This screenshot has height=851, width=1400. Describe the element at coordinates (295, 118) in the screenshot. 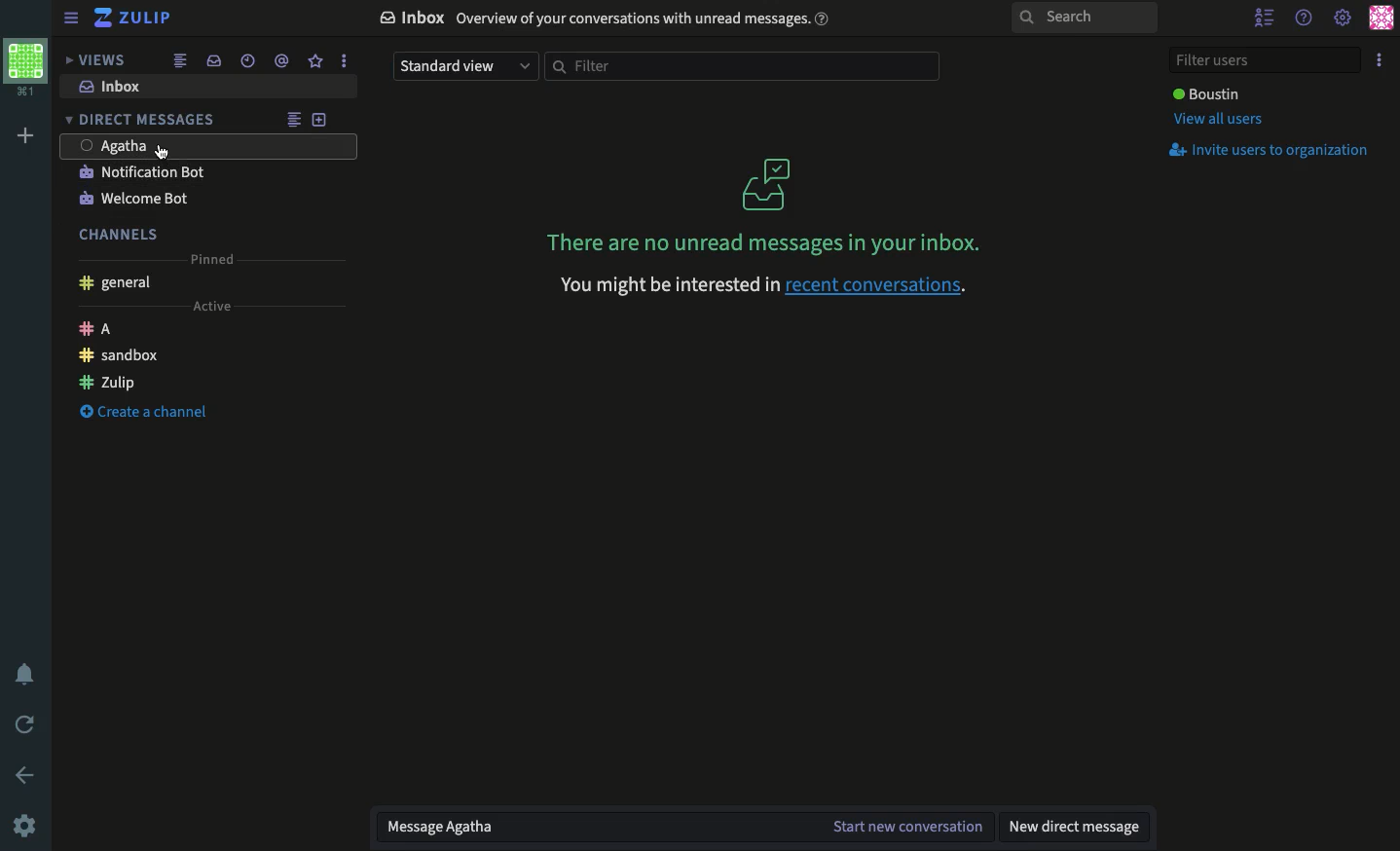

I see `Feed` at that location.